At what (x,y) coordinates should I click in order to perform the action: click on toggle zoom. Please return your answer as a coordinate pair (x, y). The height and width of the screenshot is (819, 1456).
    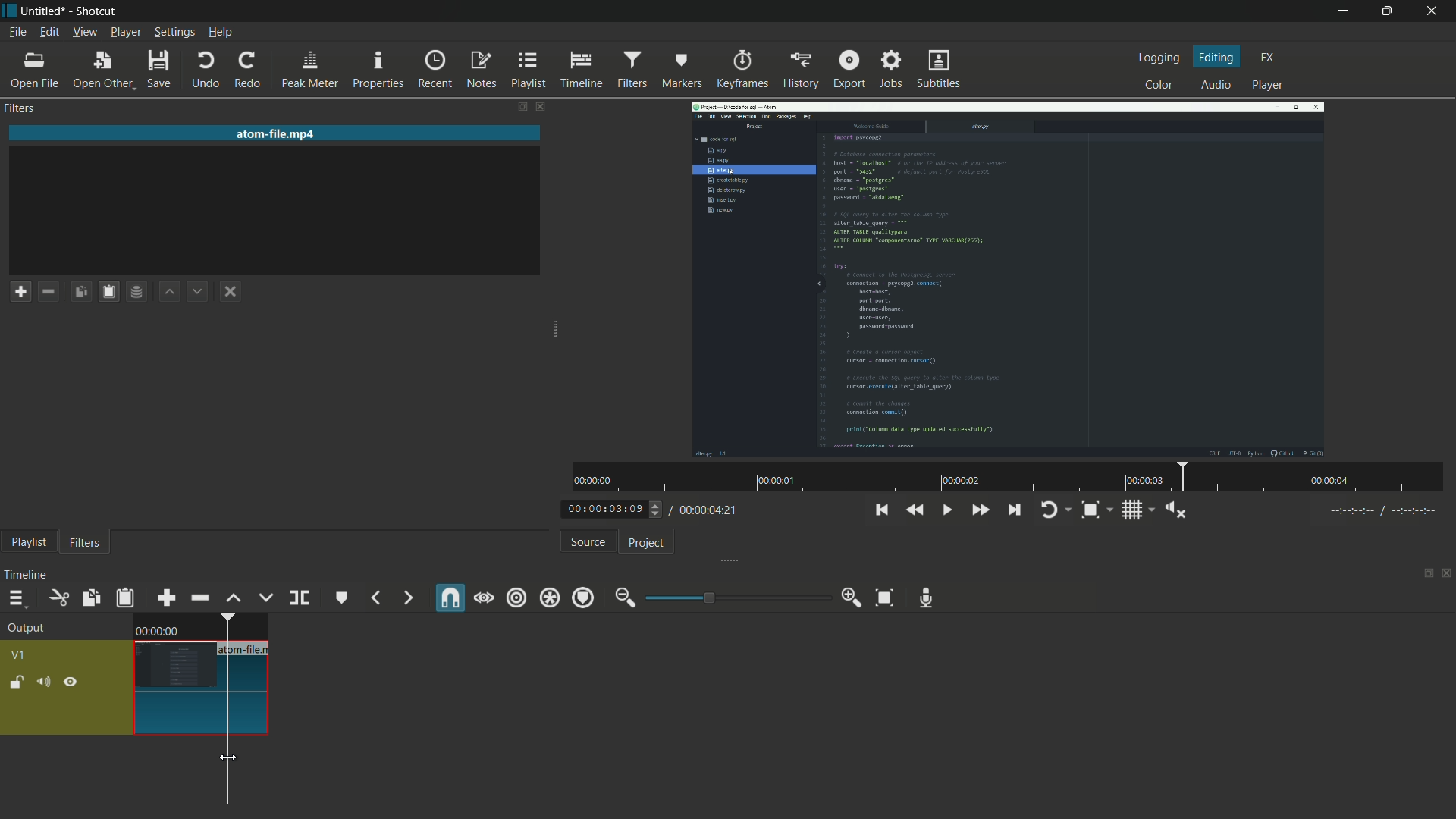
    Looking at the image, I should click on (1090, 510).